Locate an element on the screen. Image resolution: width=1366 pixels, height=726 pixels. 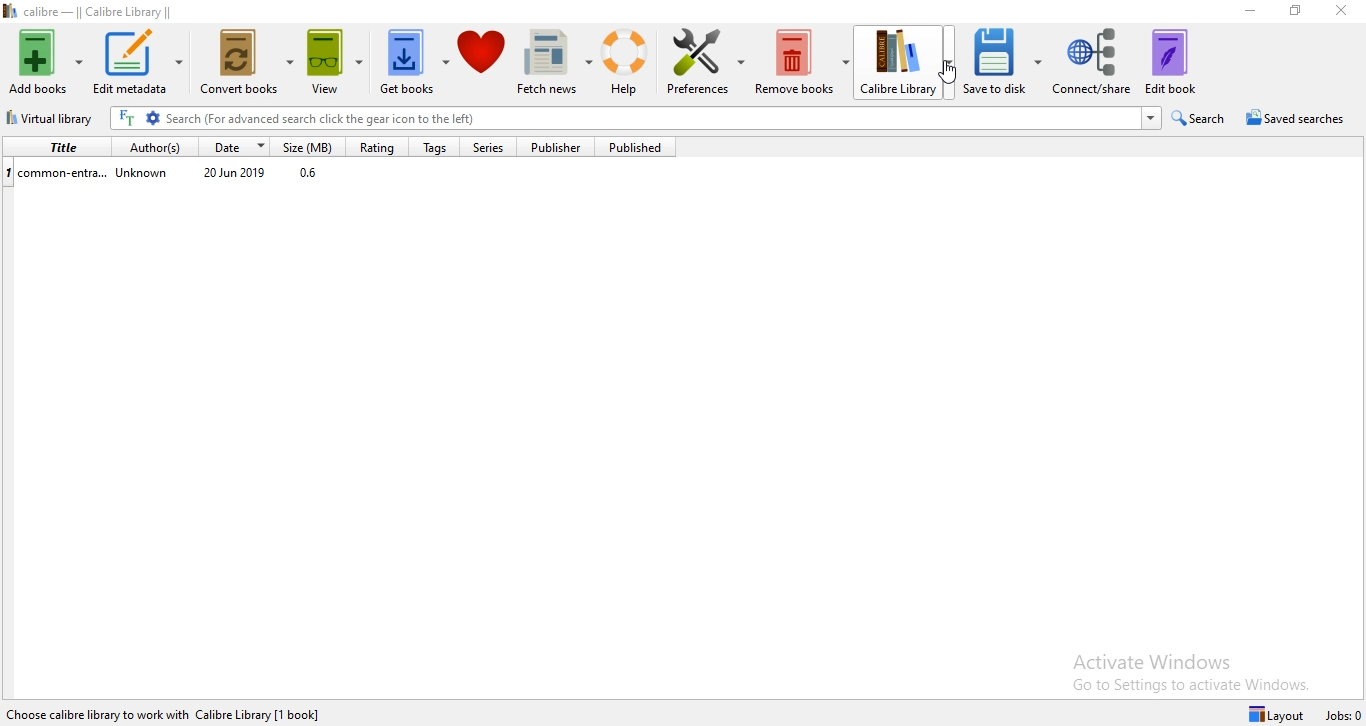
Published is located at coordinates (641, 147).